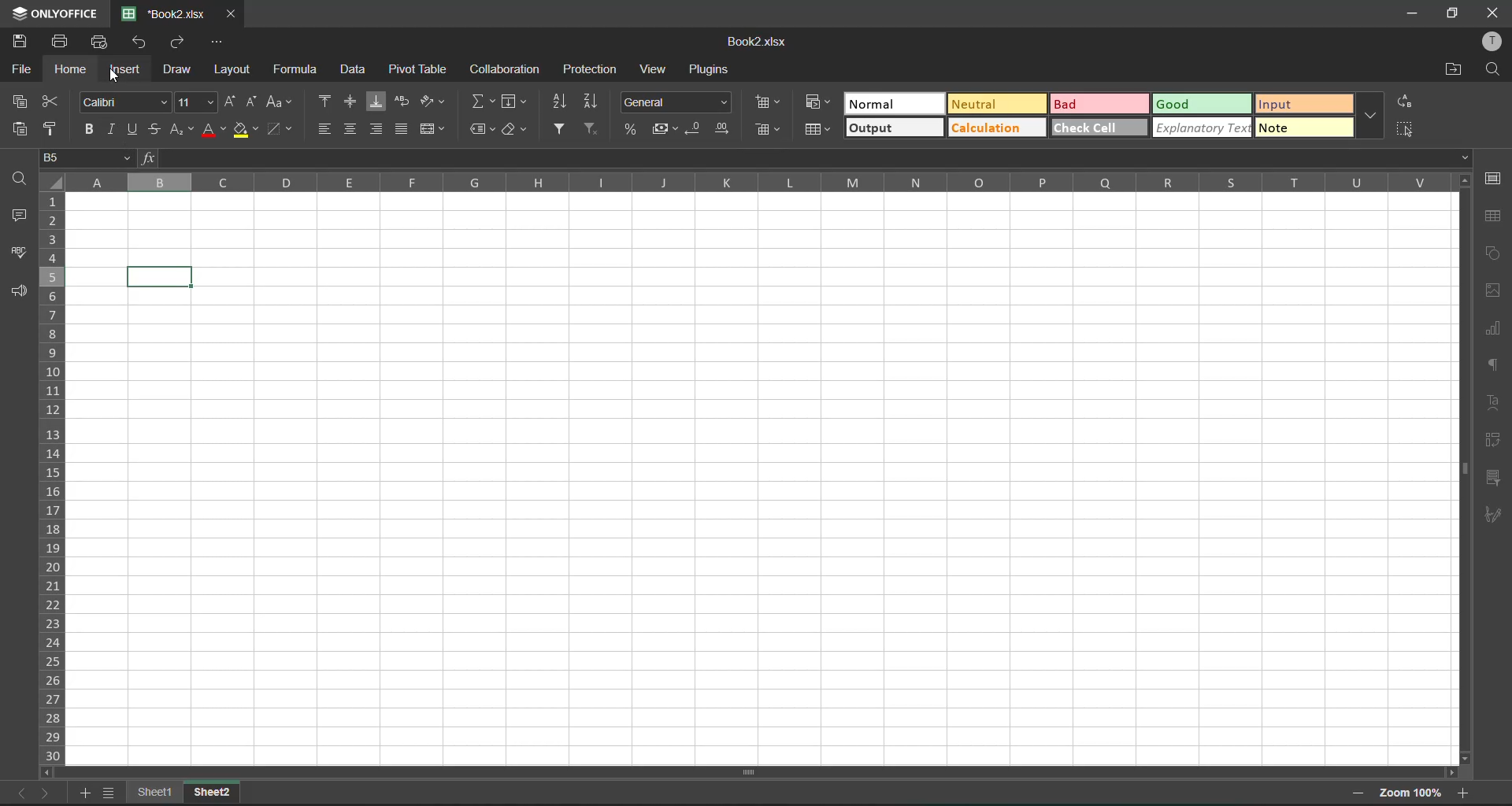  Describe the element at coordinates (600, 128) in the screenshot. I see `clear filter` at that location.